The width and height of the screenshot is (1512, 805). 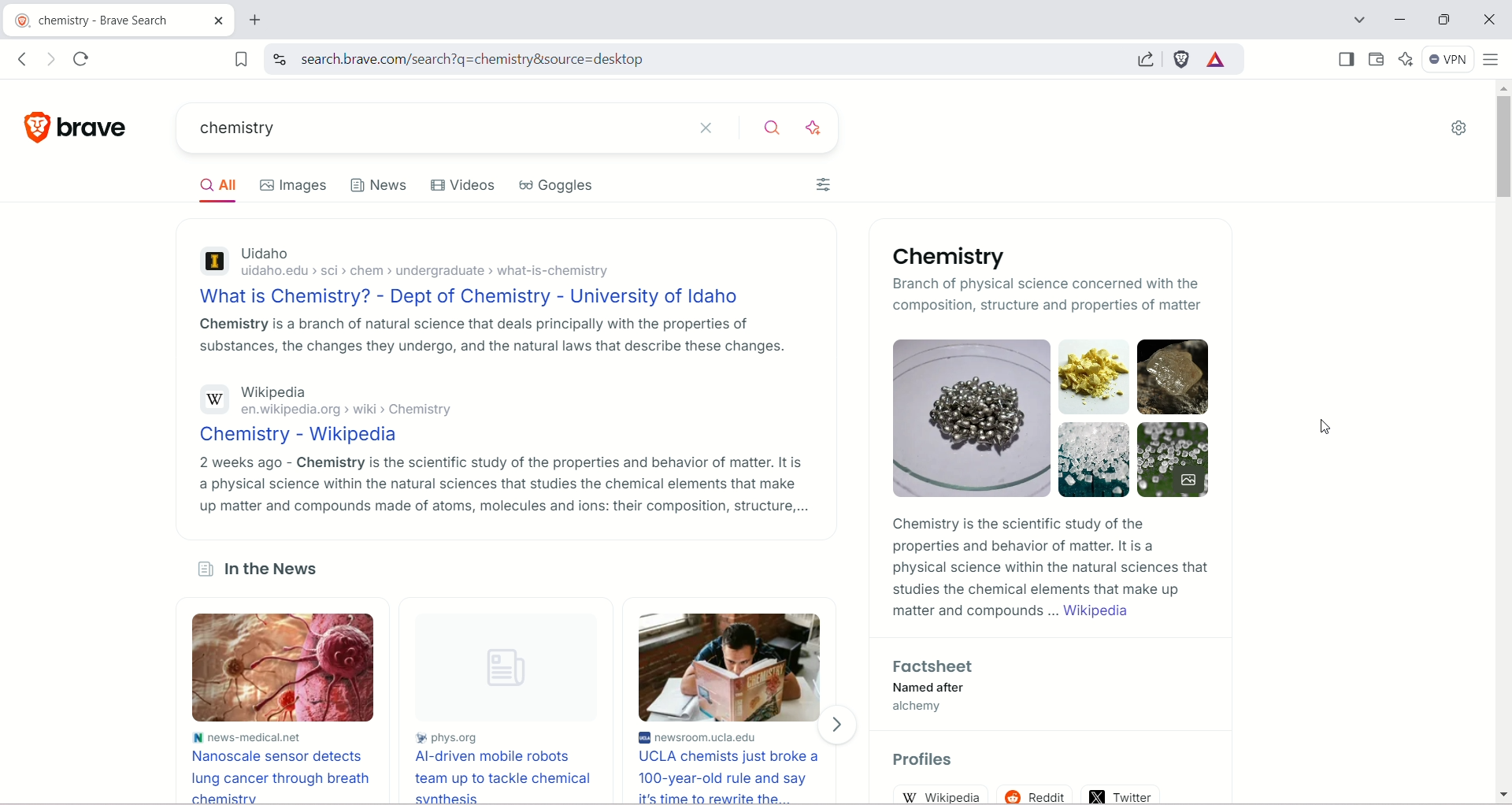 What do you see at coordinates (213, 262) in the screenshot?
I see `Uidaho logo` at bounding box center [213, 262].